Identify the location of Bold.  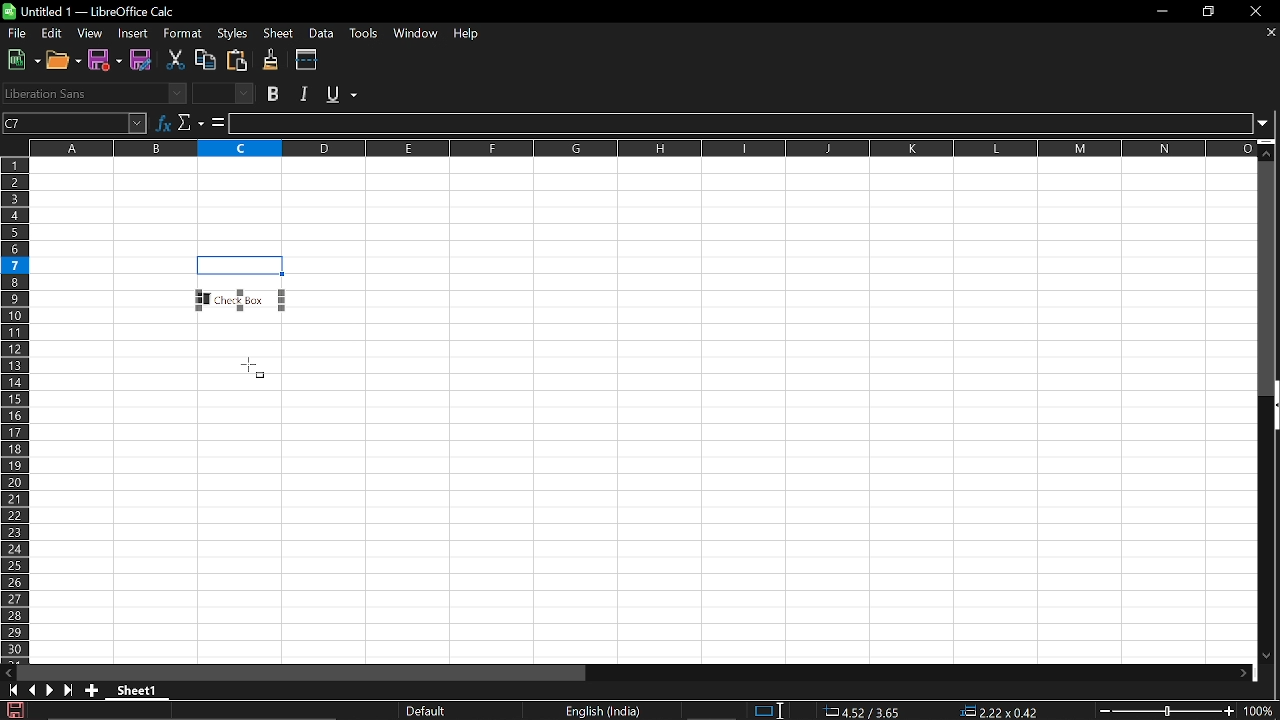
(274, 94).